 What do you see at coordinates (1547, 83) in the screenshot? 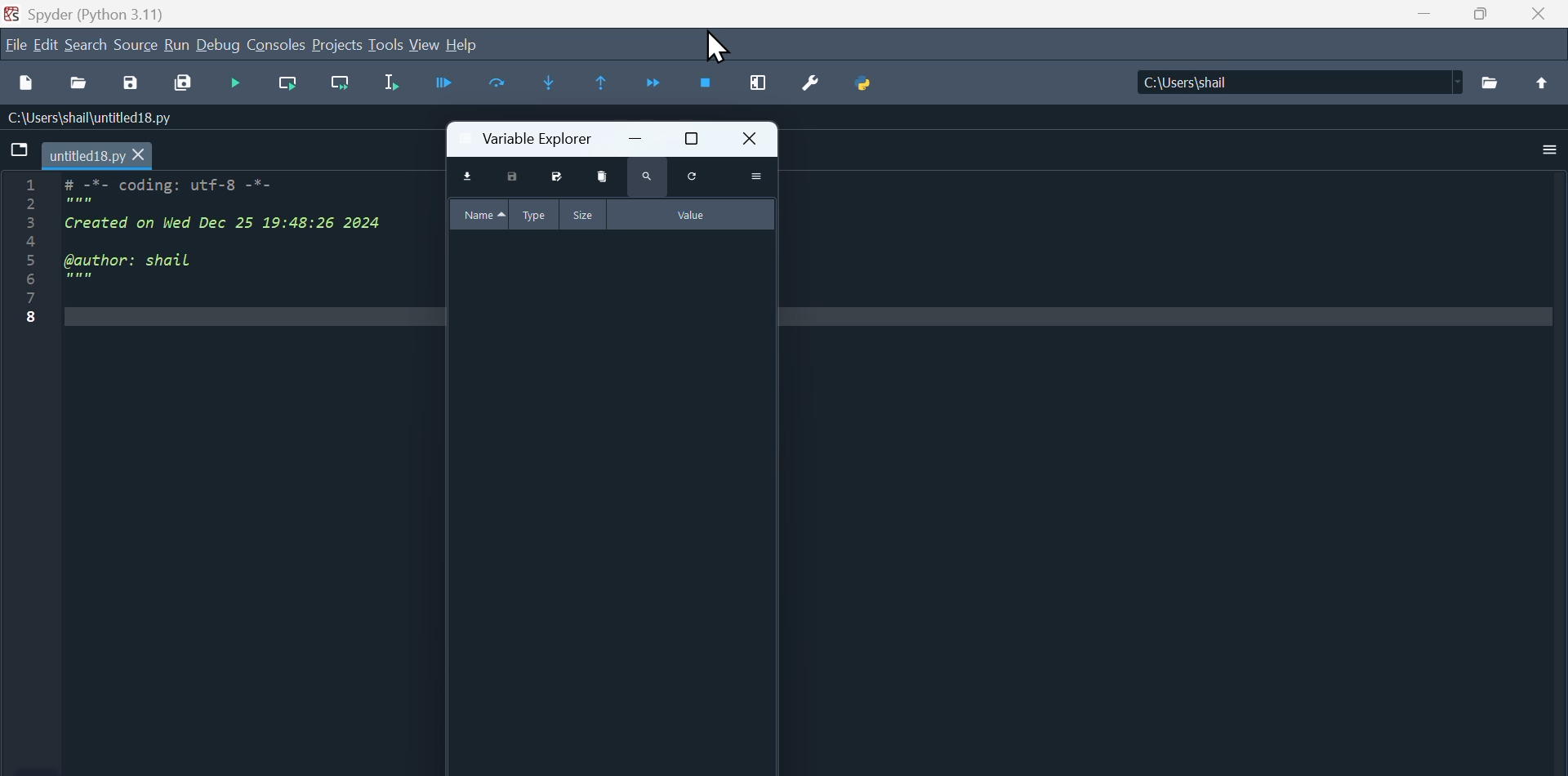
I see `icon` at bounding box center [1547, 83].